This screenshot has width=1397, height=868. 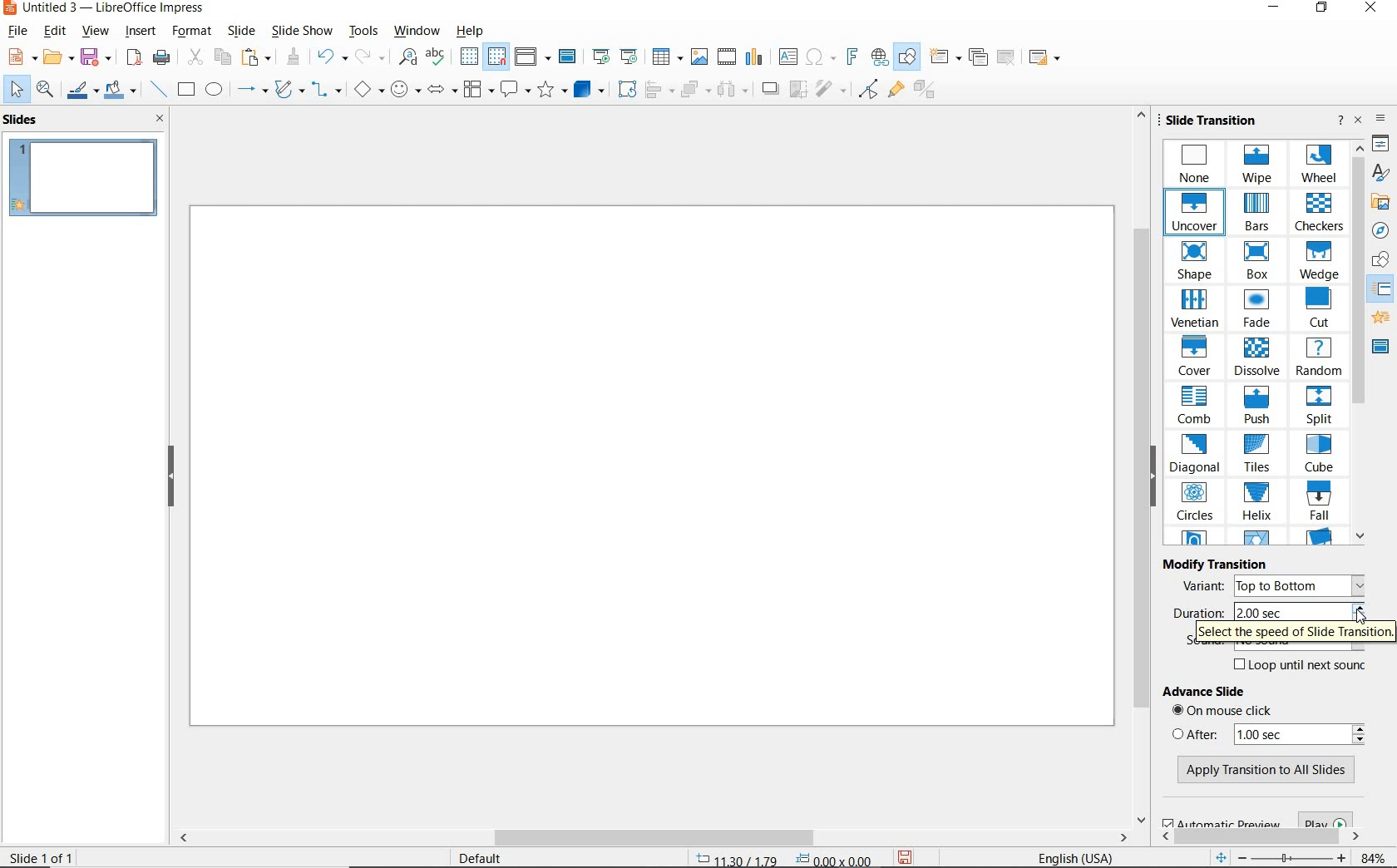 What do you see at coordinates (668, 57) in the screenshot?
I see `TABLE` at bounding box center [668, 57].